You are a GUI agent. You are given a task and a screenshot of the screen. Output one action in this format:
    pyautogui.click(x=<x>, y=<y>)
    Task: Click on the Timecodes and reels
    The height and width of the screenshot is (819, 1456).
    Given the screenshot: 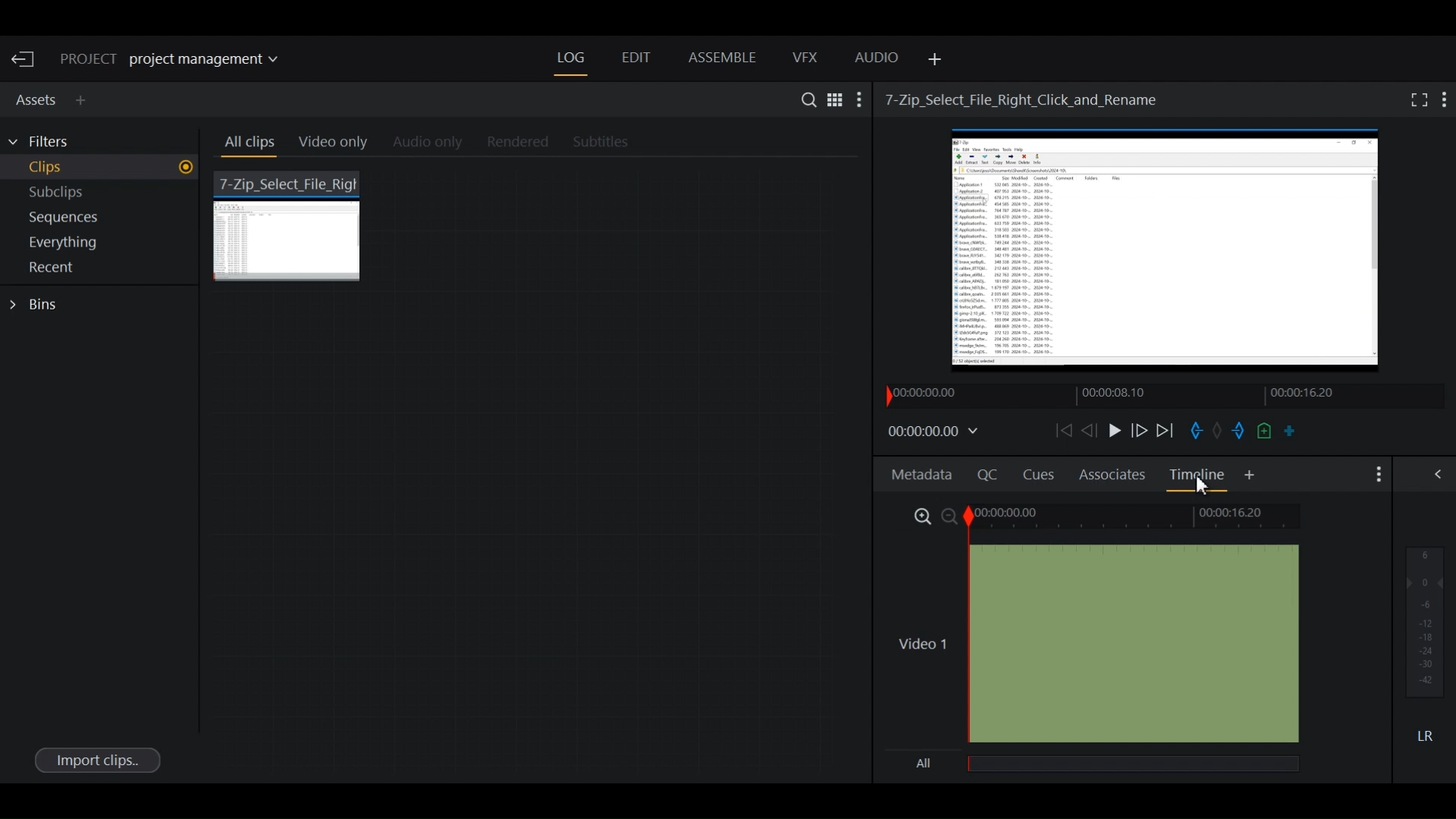 What is the action you would take?
    pyautogui.click(x=936, y=432)
    